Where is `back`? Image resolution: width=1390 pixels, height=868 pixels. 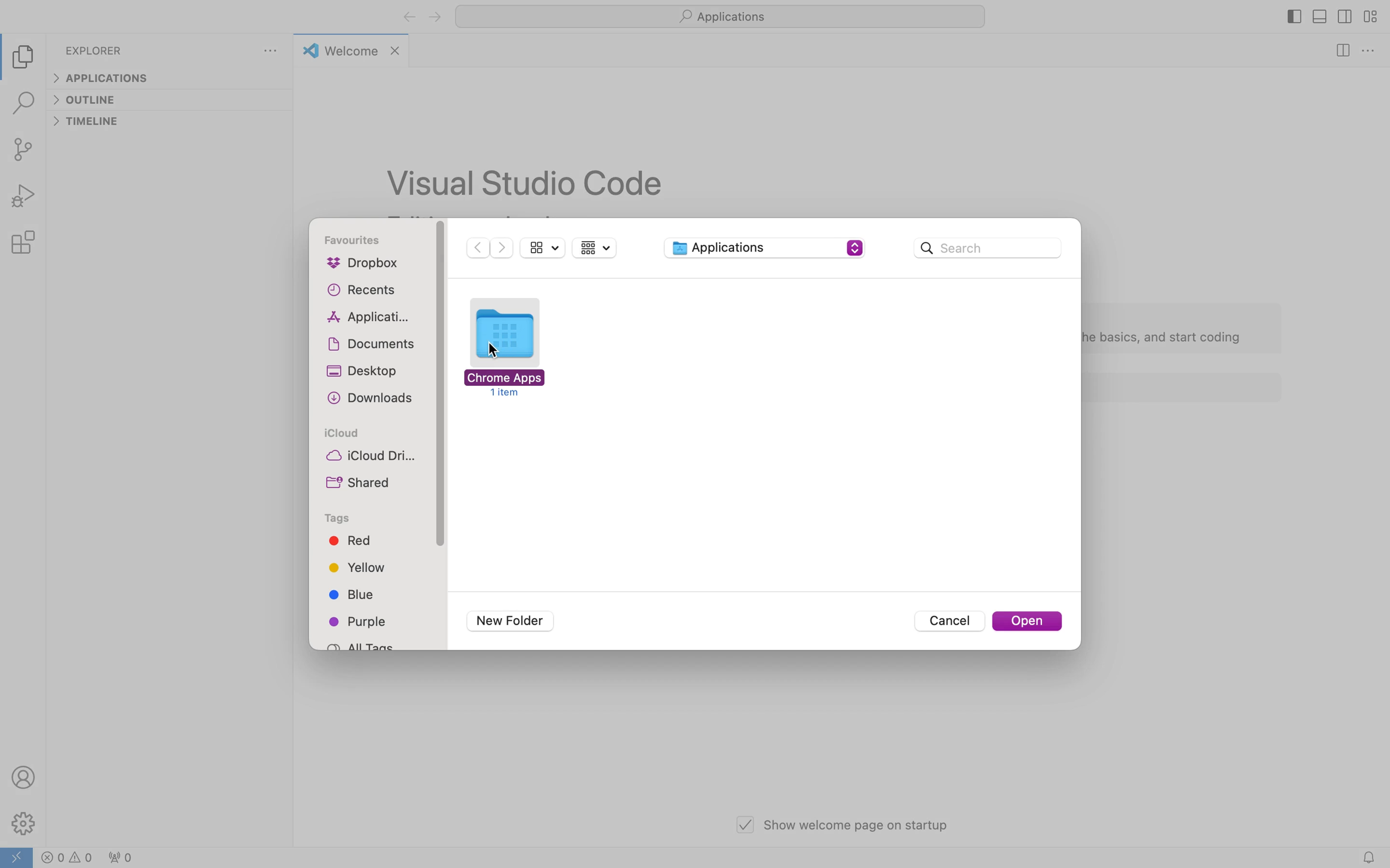 back is located at coordinates (408, 18).